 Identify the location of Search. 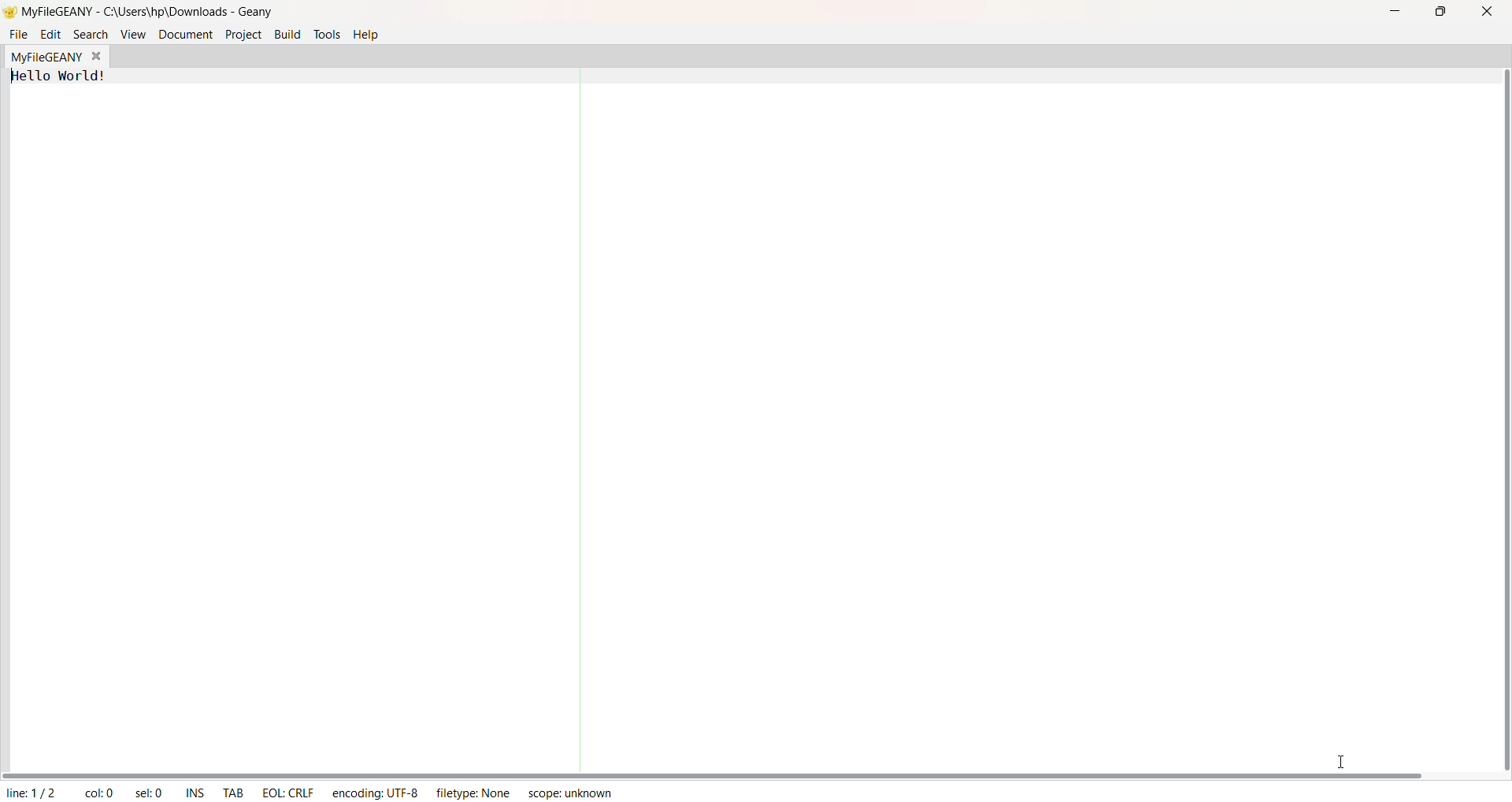
(91, 36).